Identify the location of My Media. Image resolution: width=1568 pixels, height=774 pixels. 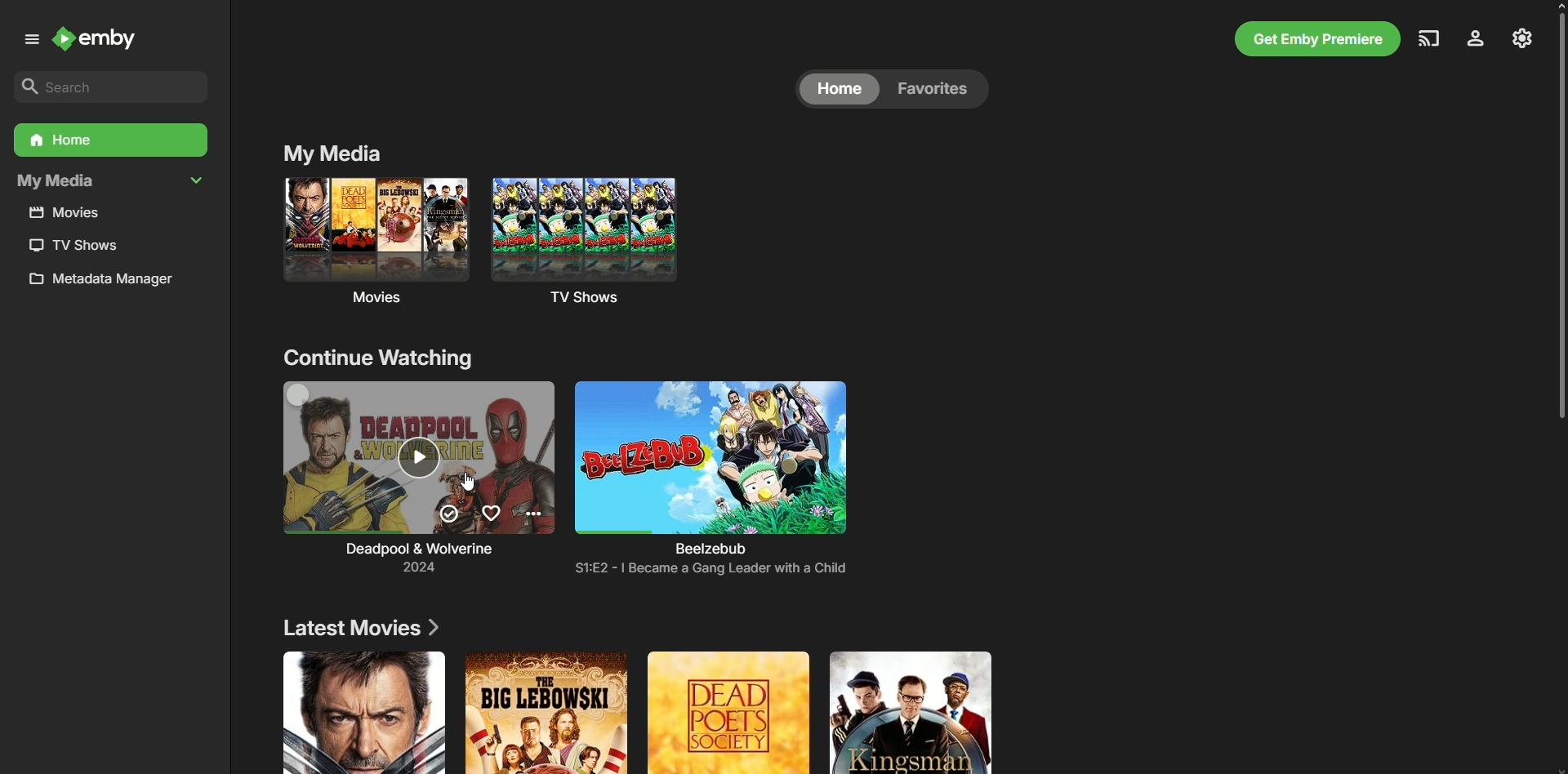
(110, 182).